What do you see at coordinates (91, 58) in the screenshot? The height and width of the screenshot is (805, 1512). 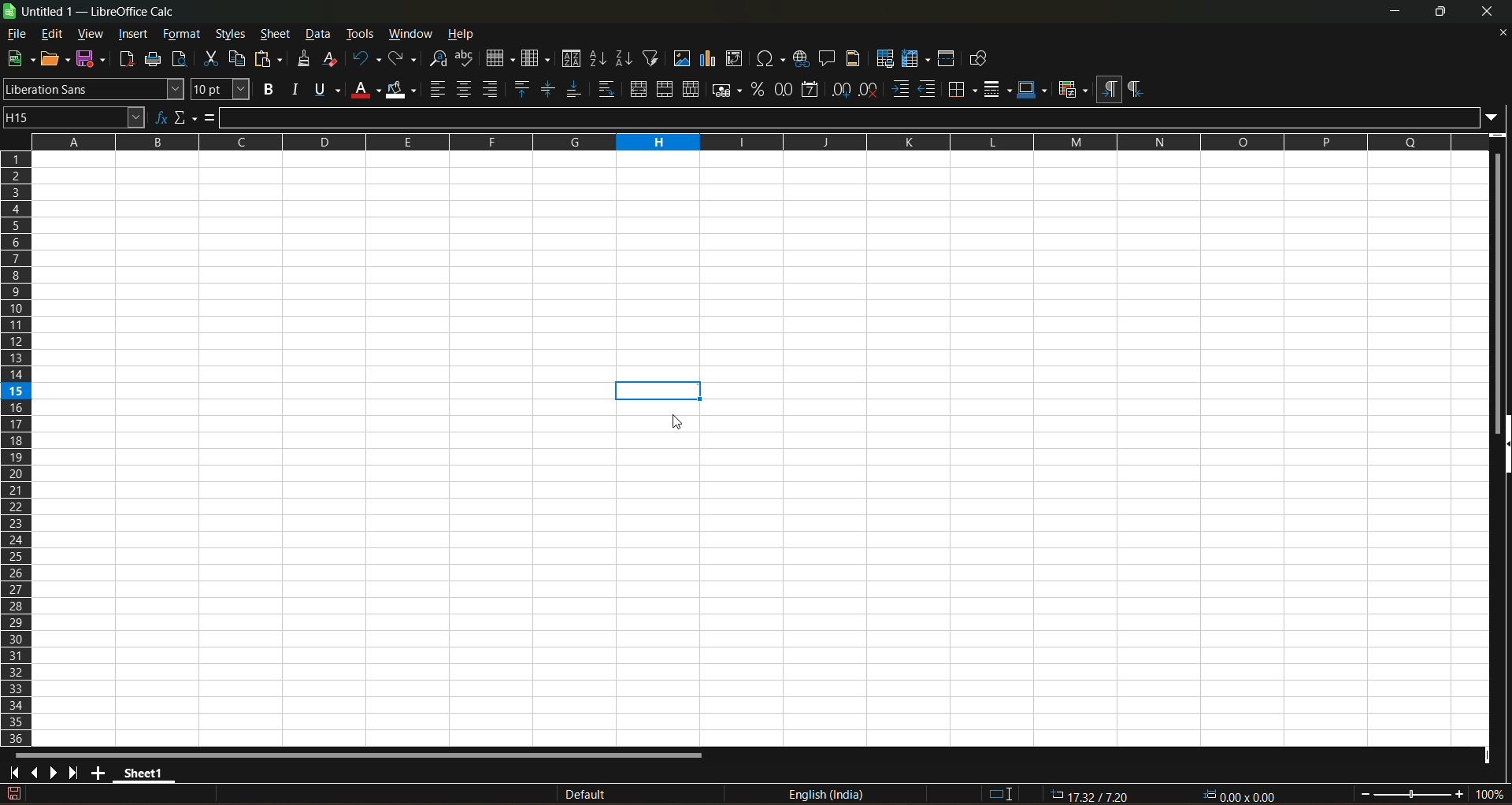 I see `save` at bounding box center [91, 58].